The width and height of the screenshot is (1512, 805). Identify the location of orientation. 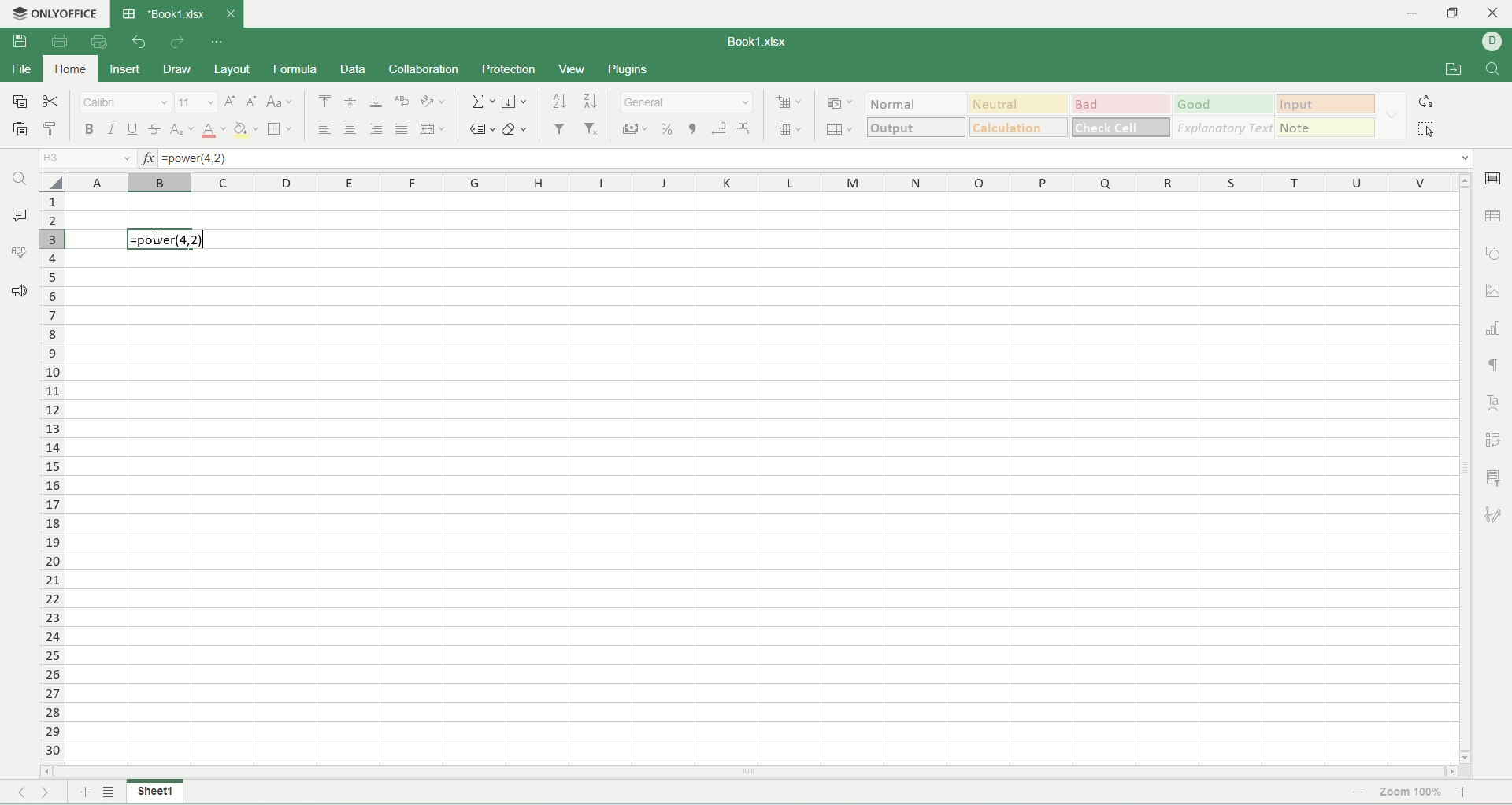
(433, 101).